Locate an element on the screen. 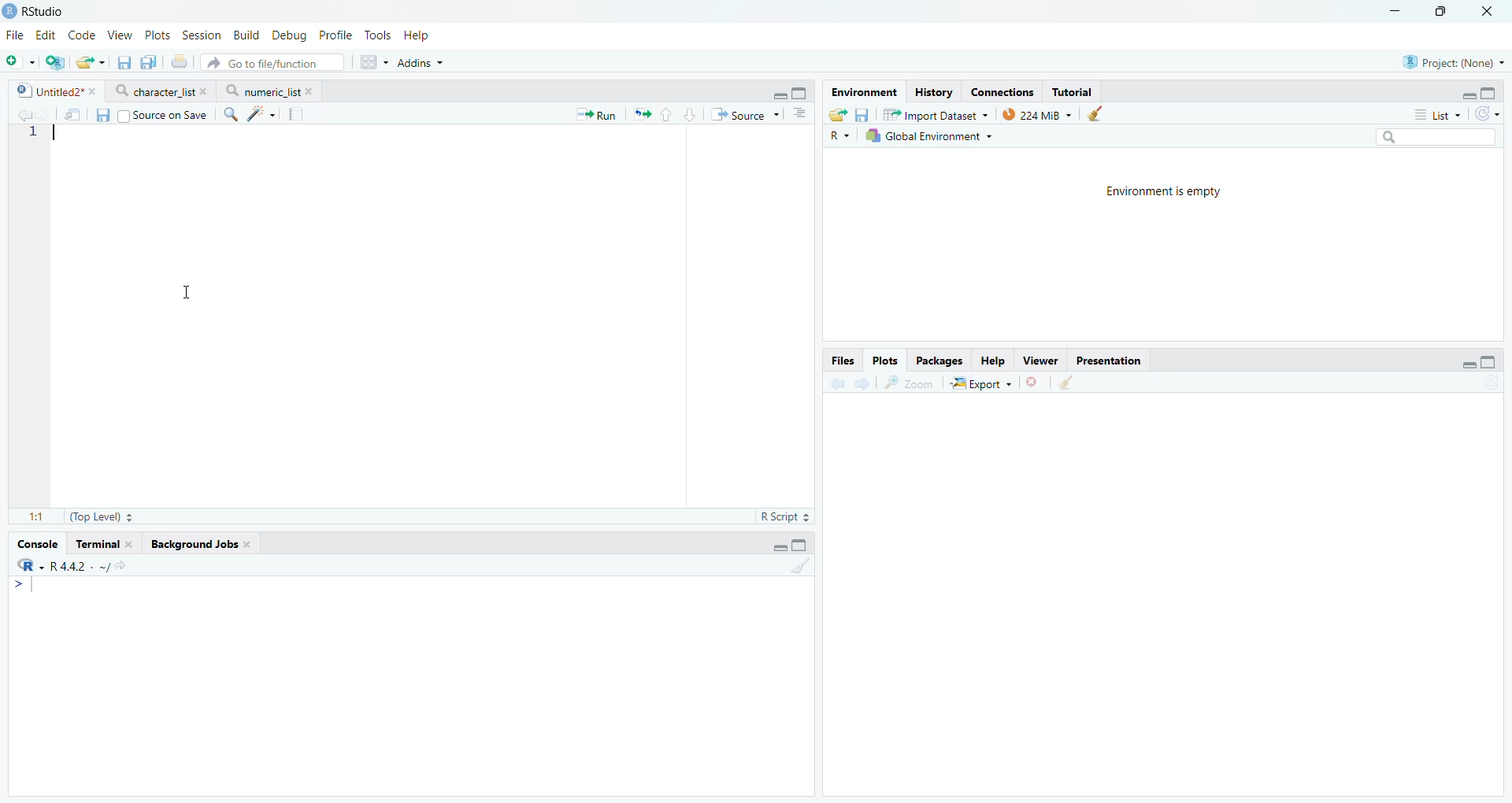  Maximize is located at coordinates (1448, 11).